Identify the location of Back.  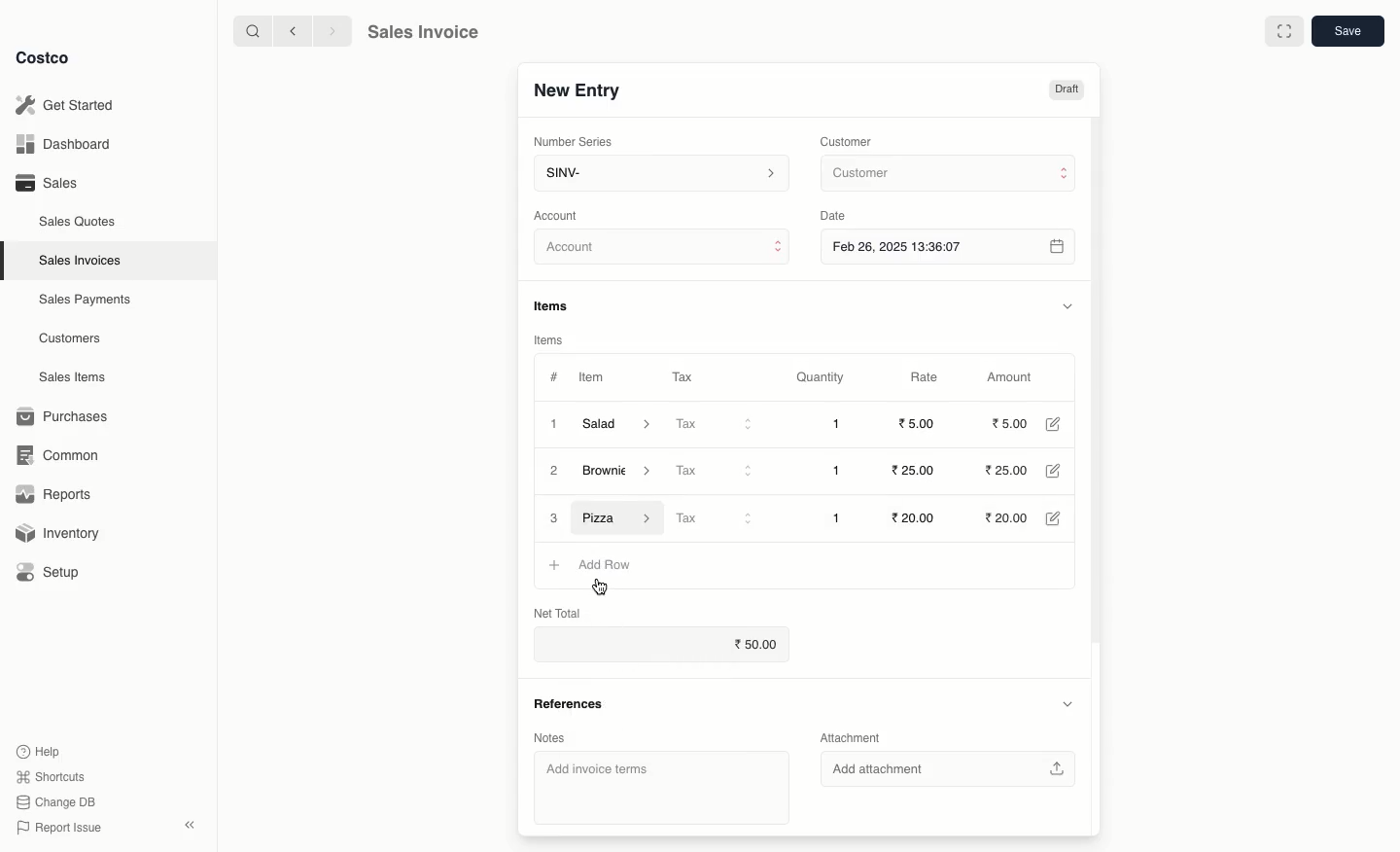
(291, 31).